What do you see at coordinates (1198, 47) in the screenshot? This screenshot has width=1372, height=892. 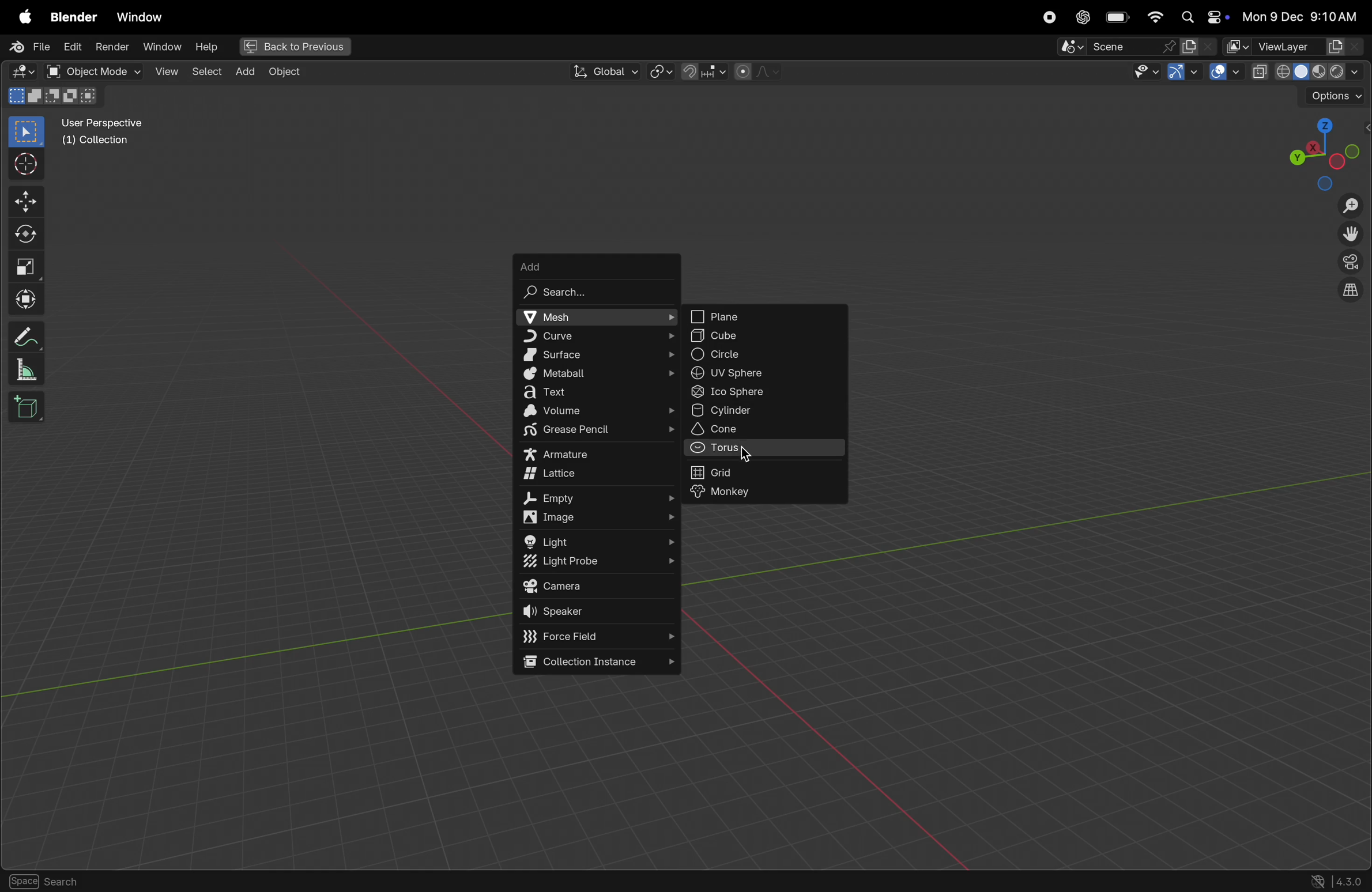 I see `new scene` at bounding box center [1198, 47].